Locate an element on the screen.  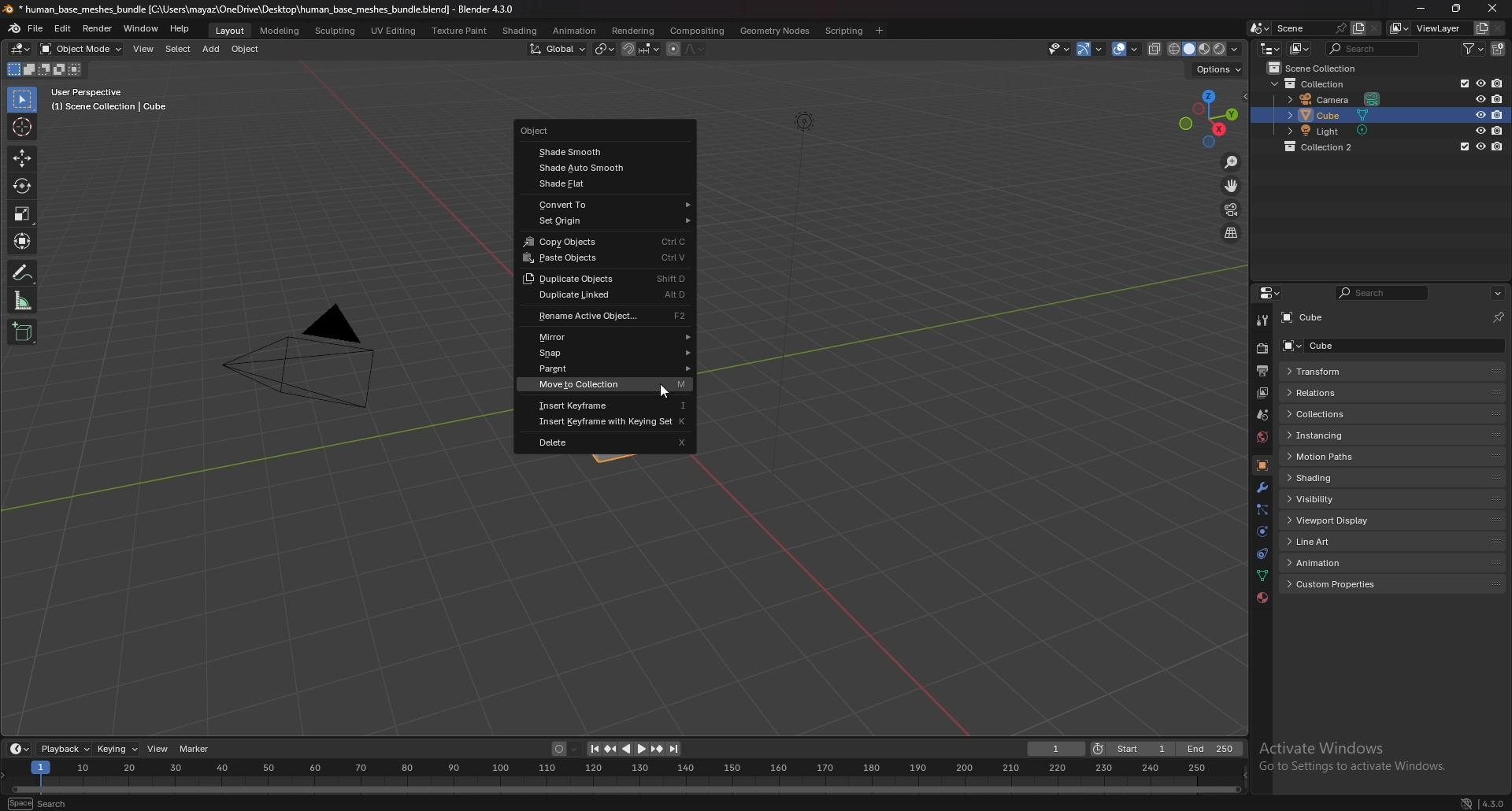
help is located at coordinates (180, 28).